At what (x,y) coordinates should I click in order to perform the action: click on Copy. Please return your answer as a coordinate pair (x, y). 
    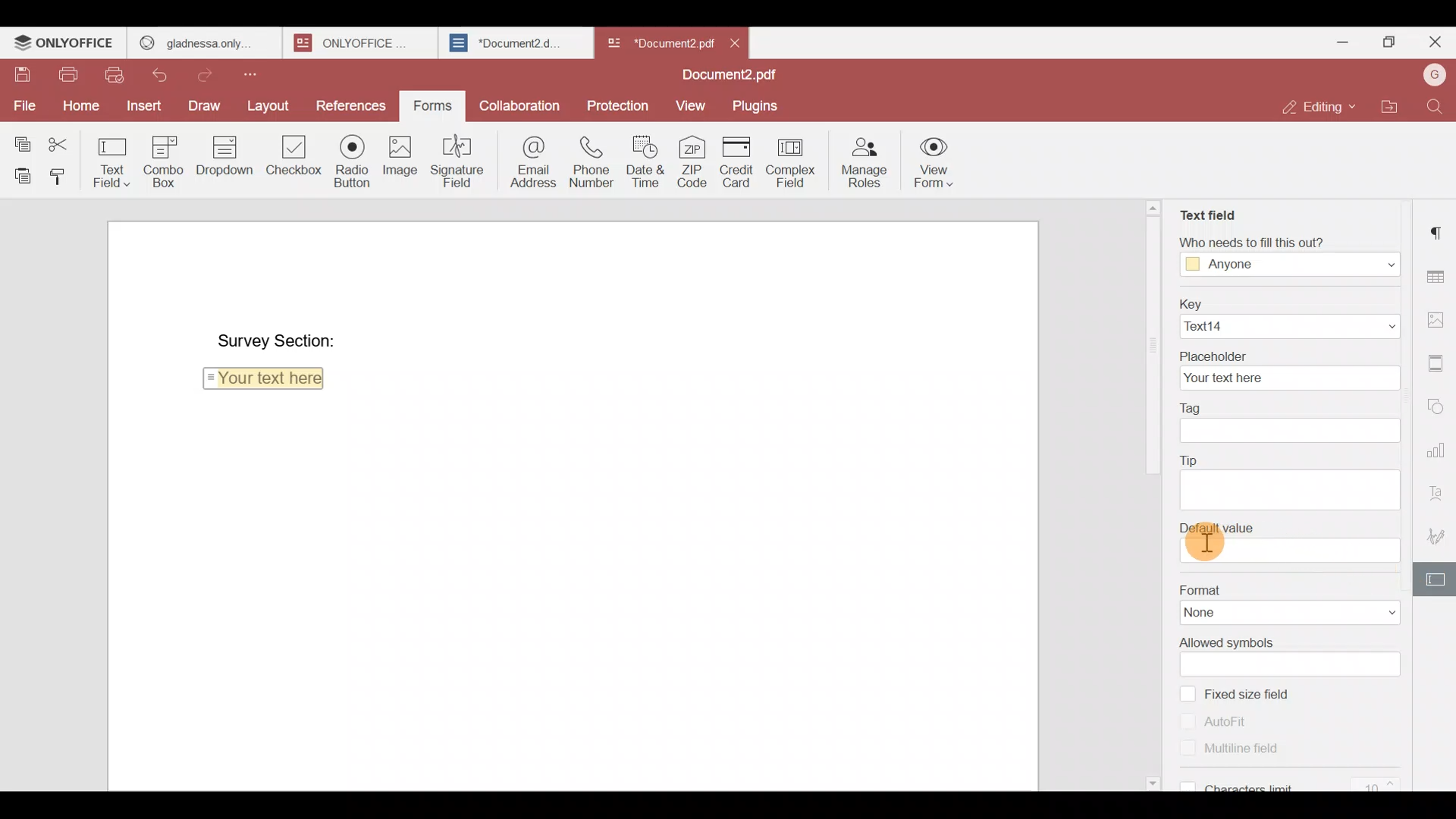
    Looking at the image, I should click on (22, 137).